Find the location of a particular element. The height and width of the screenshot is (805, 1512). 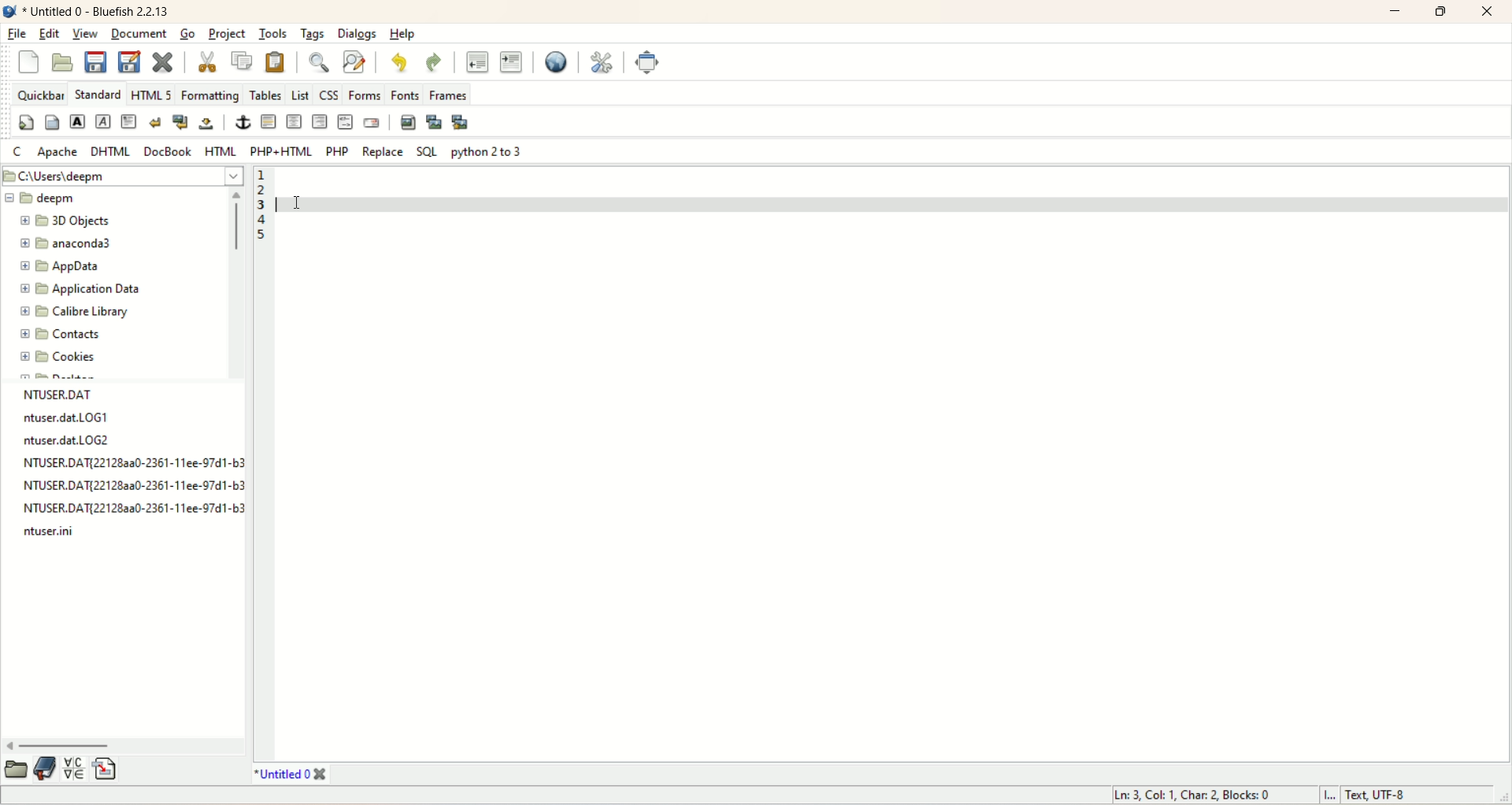

undo is located at coordinates (396, 61).